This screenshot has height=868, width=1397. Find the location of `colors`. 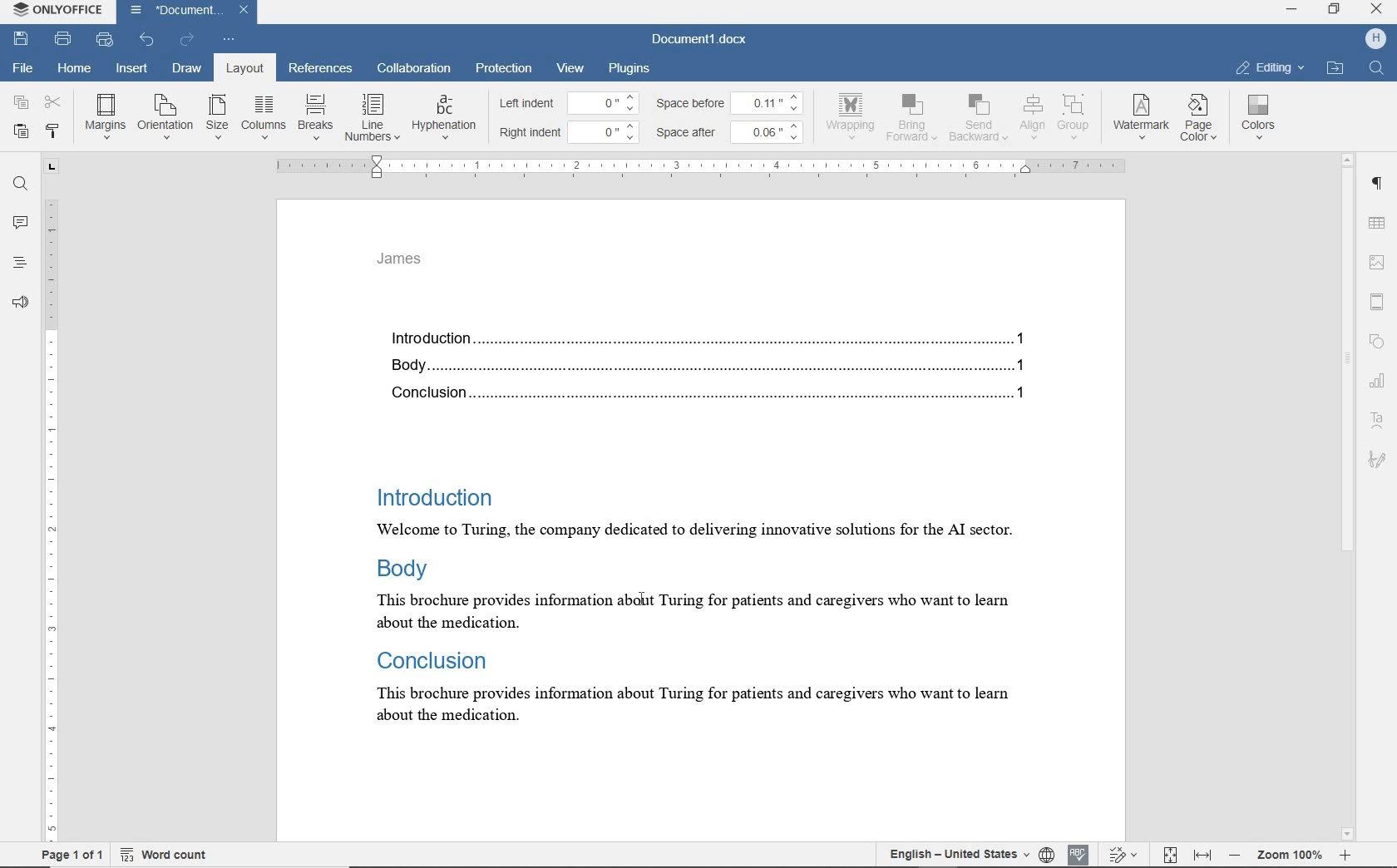

colors is located at coordinates (1261, 117).